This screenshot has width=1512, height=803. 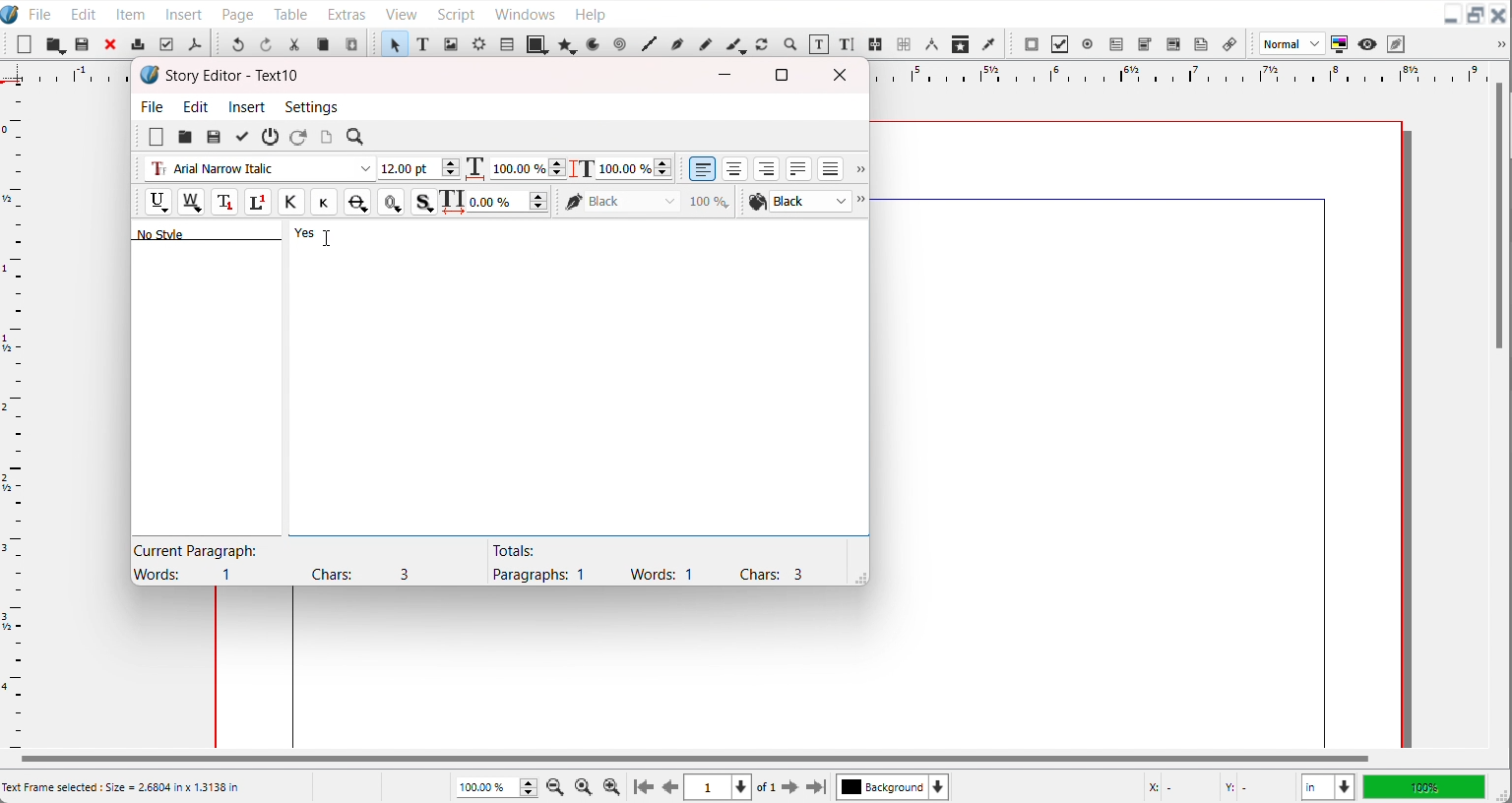 What do you see at coordinates (165, 44) in the screenshot?
I see `Preflight verifier` at bounding box center [165, 44].